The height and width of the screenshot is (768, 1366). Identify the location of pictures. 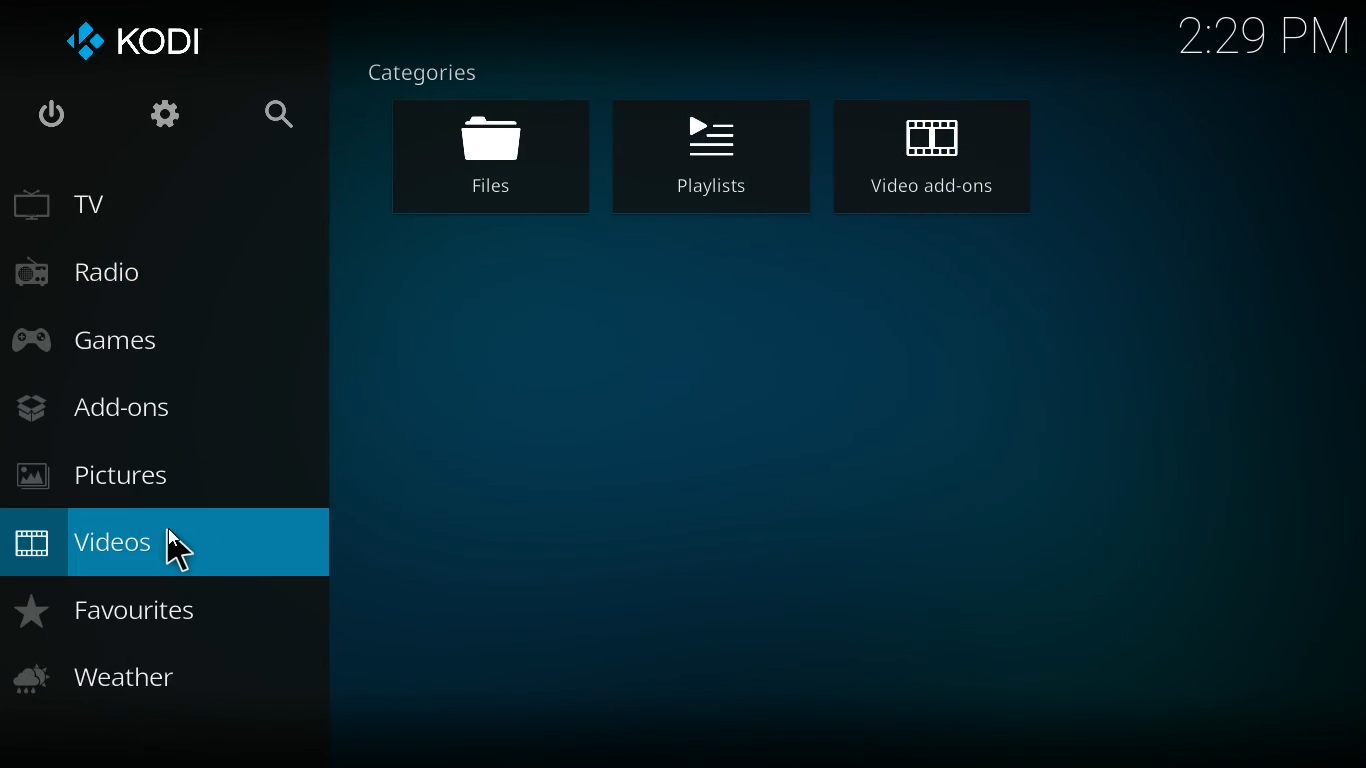
(153, 477).